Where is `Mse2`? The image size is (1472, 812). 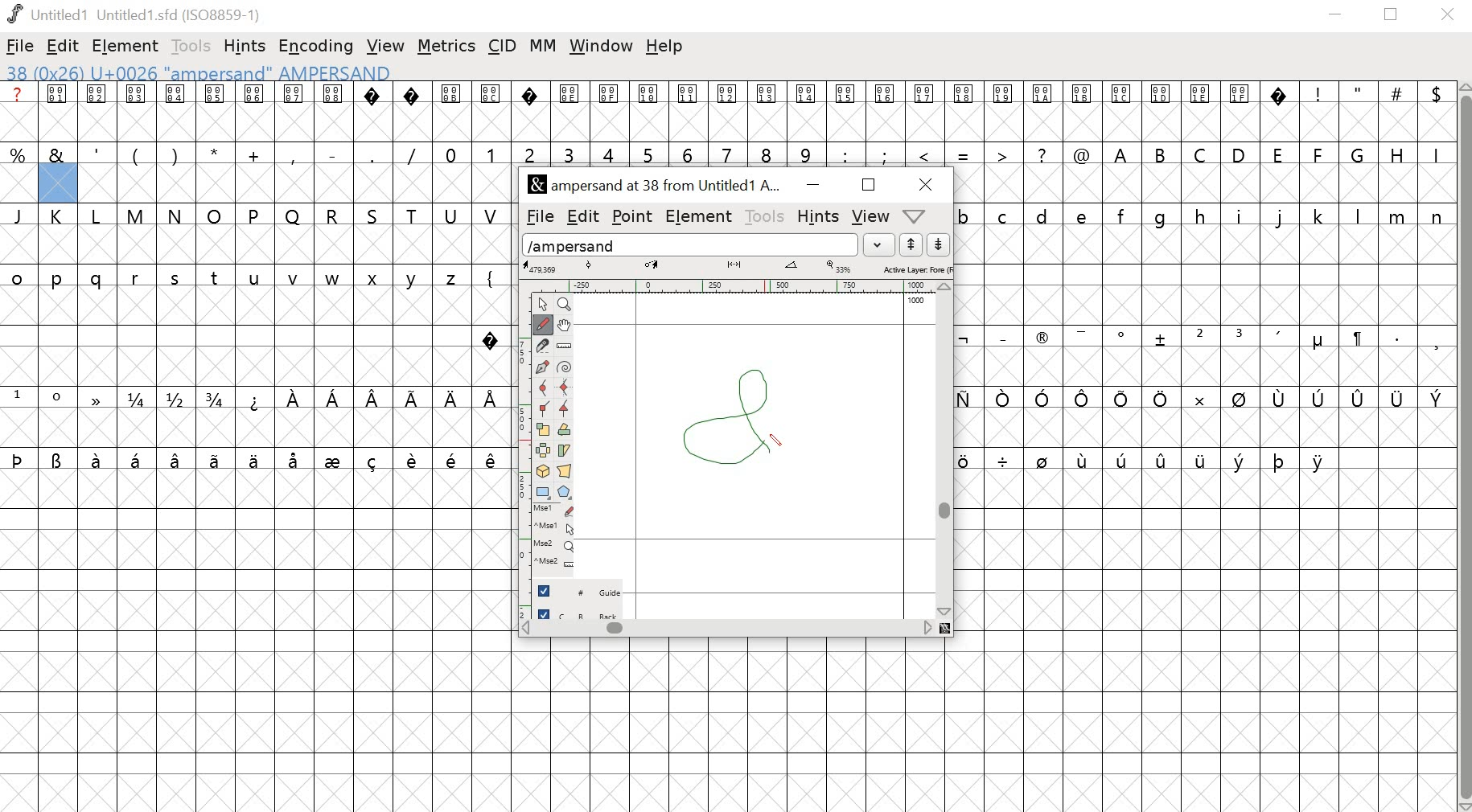 Mse2 is located at coordinates (556, 545).